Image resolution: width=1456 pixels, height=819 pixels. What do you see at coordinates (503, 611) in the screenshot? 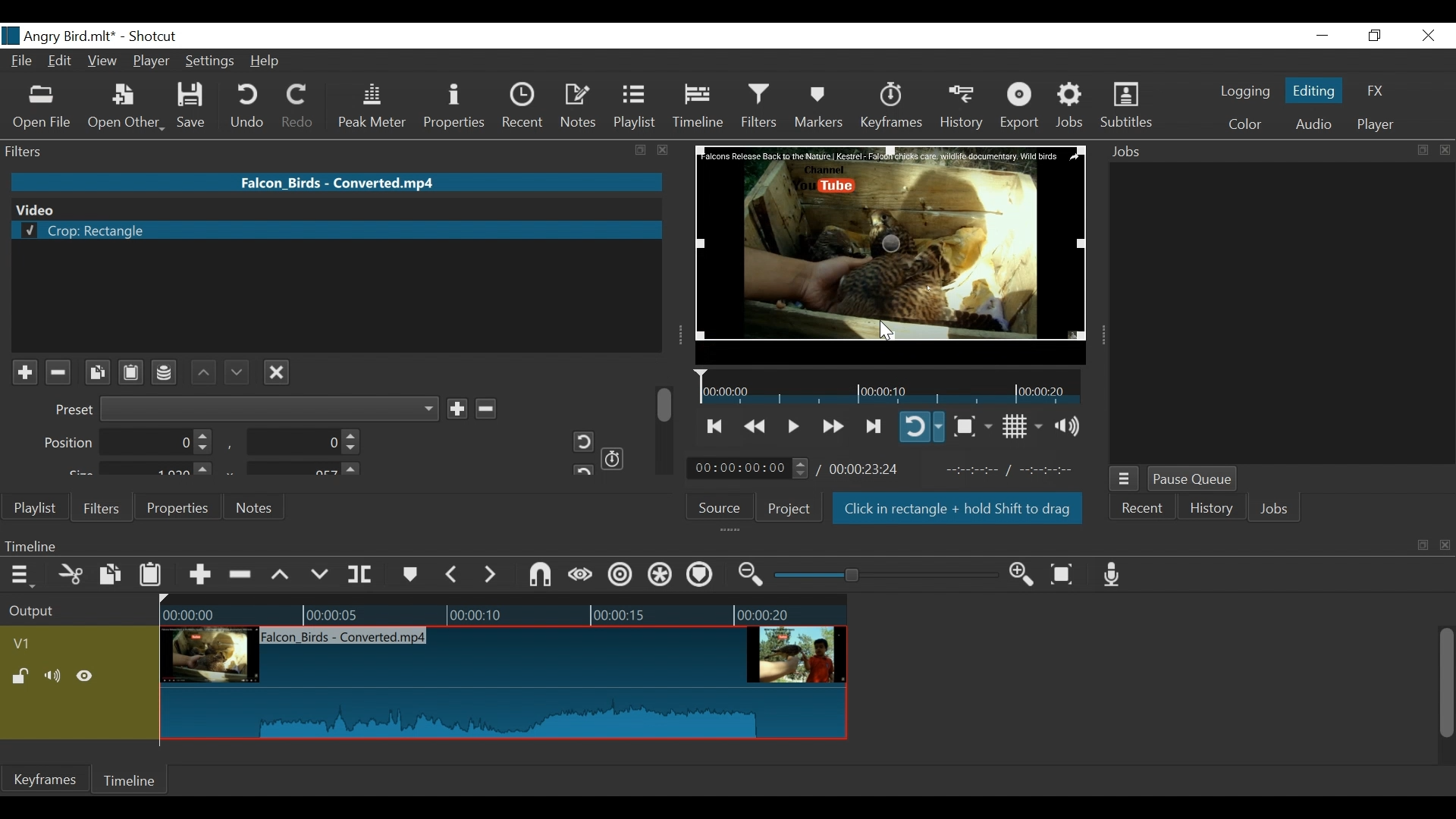
I see `Timeline` at bounding box center [503, 611].